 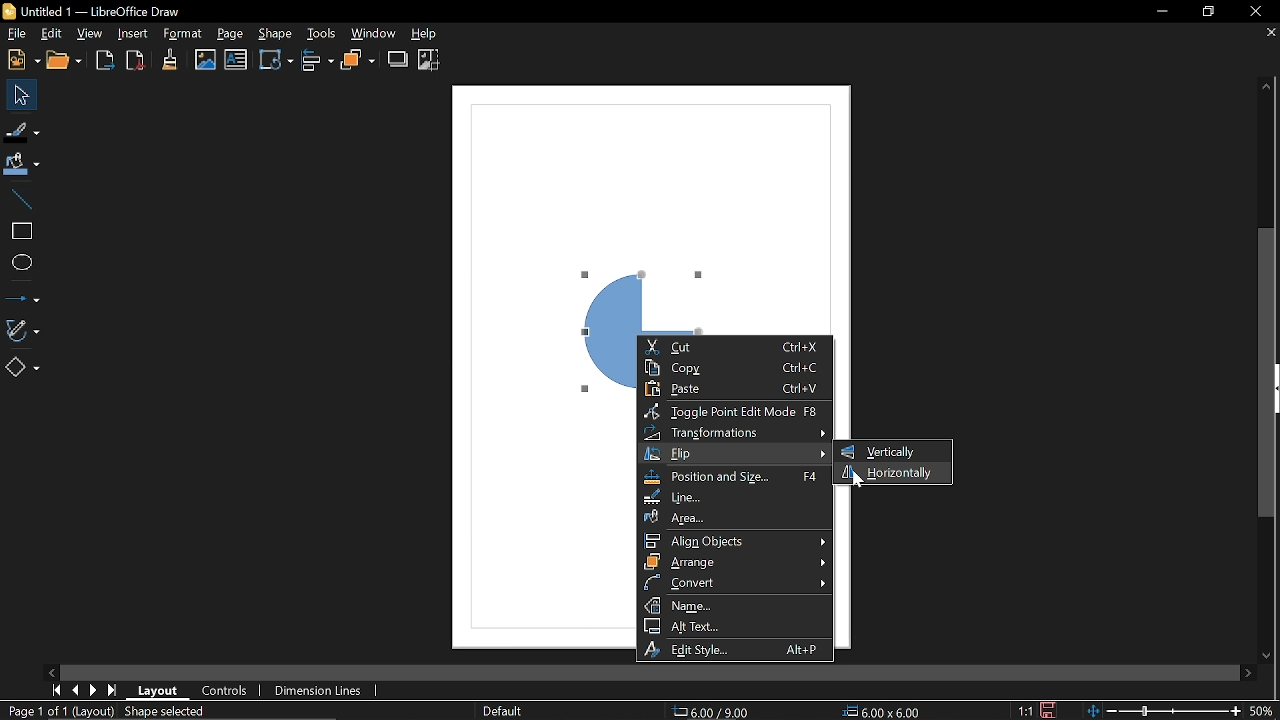 I want to click on View, so click(x=91, y=34).